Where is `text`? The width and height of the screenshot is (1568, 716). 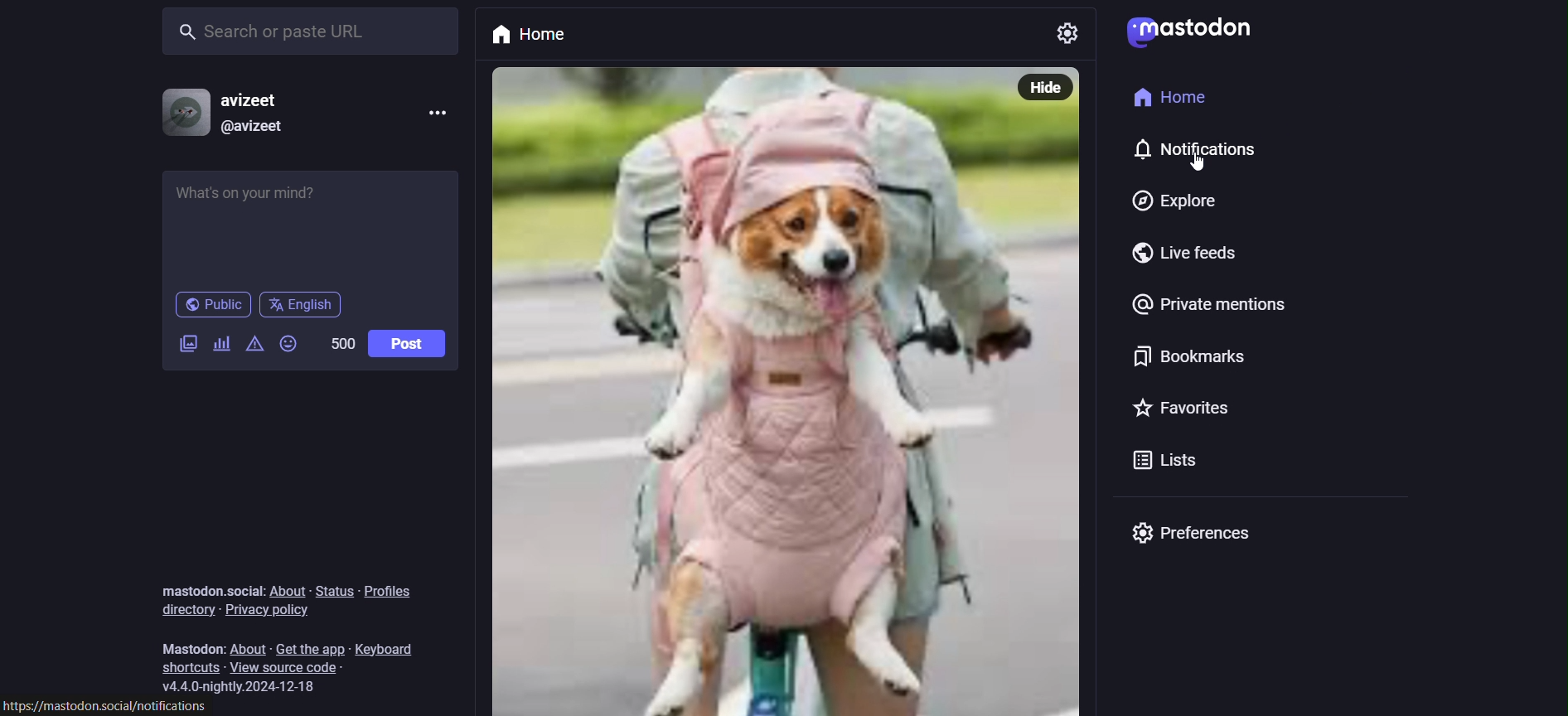
text is located at coordinates (191, 650).